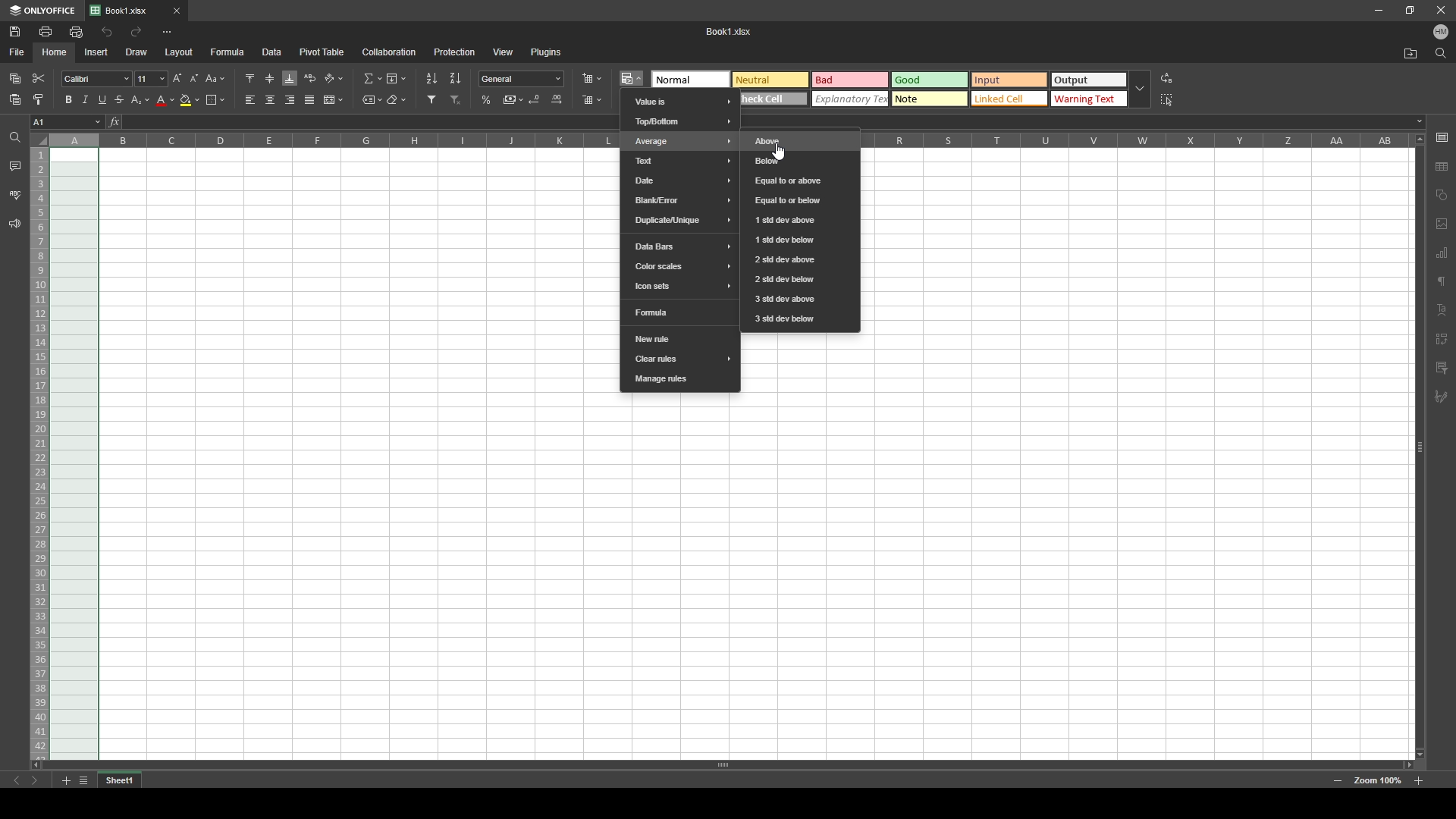 This screenshot has width=1456, height=819. What do you see at coordinates (1378, 781) in the screenshot?
I see `zoom` at bounding box center [1378, 781].